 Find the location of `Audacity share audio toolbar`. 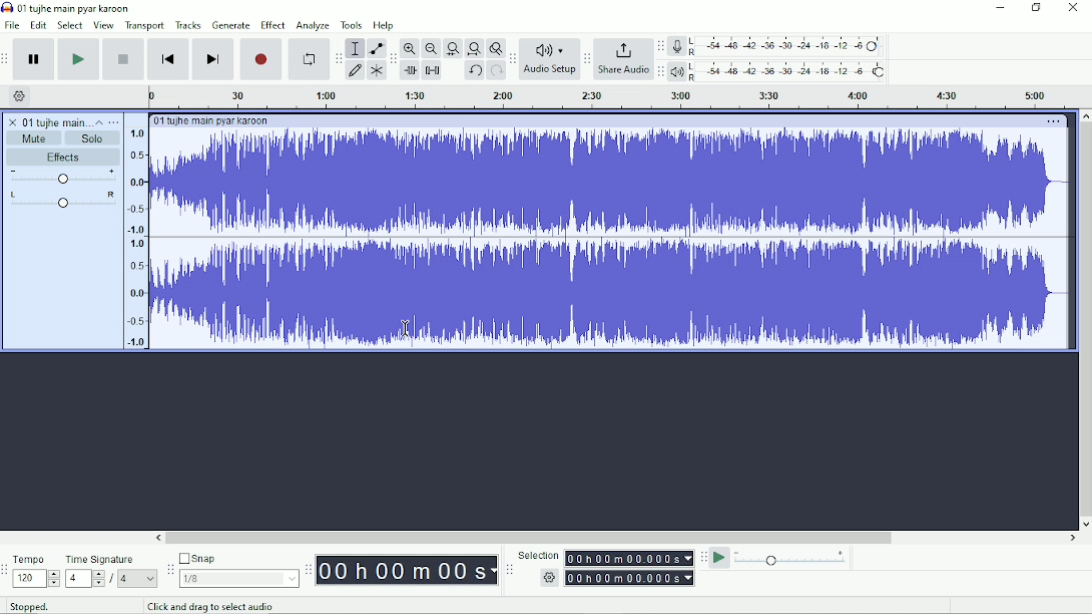

Audacity share audio toolbar is located at coordinates (587, 60).